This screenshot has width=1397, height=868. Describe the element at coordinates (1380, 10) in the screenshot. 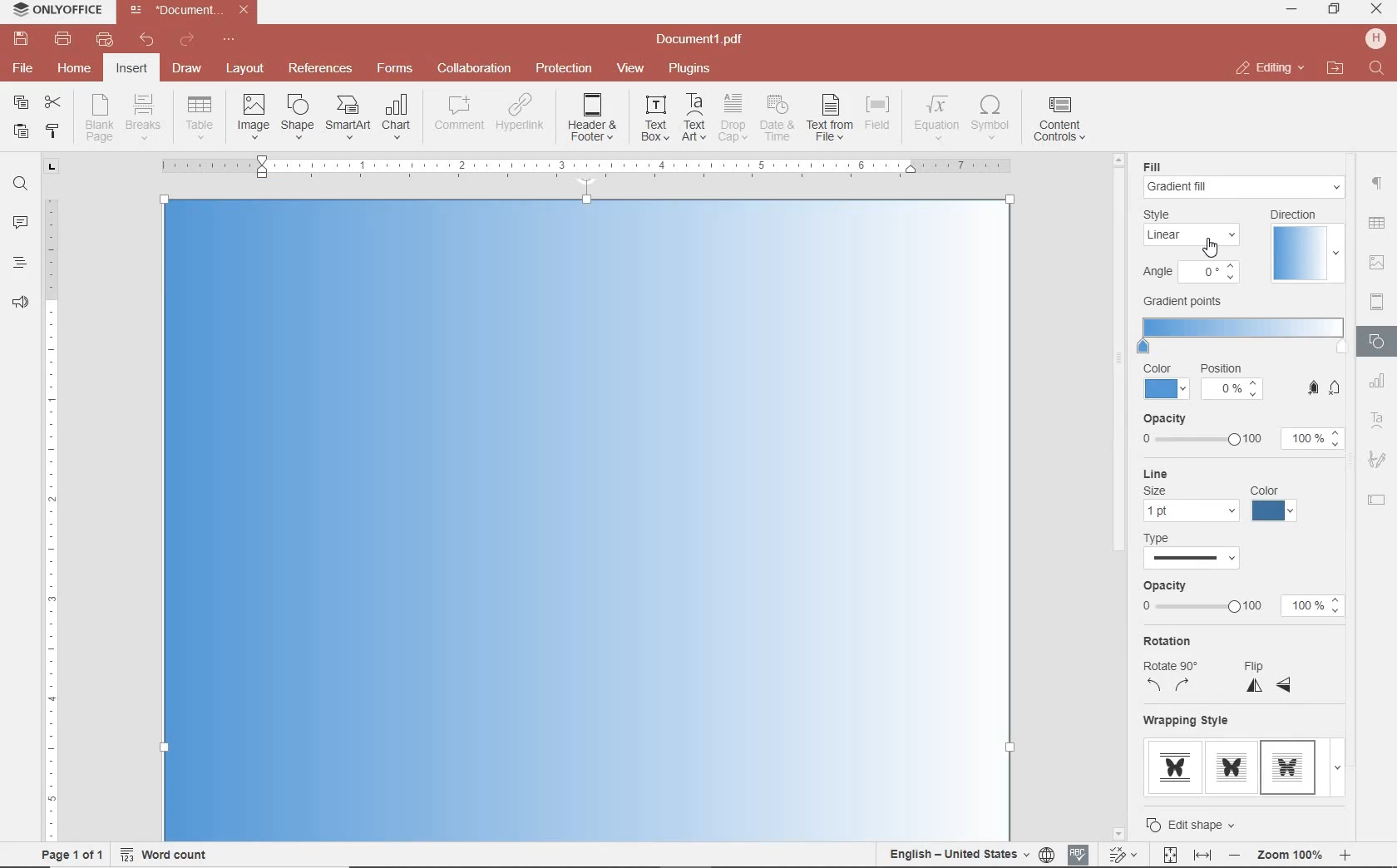

I see `minimize ,restore ,close` at that location.